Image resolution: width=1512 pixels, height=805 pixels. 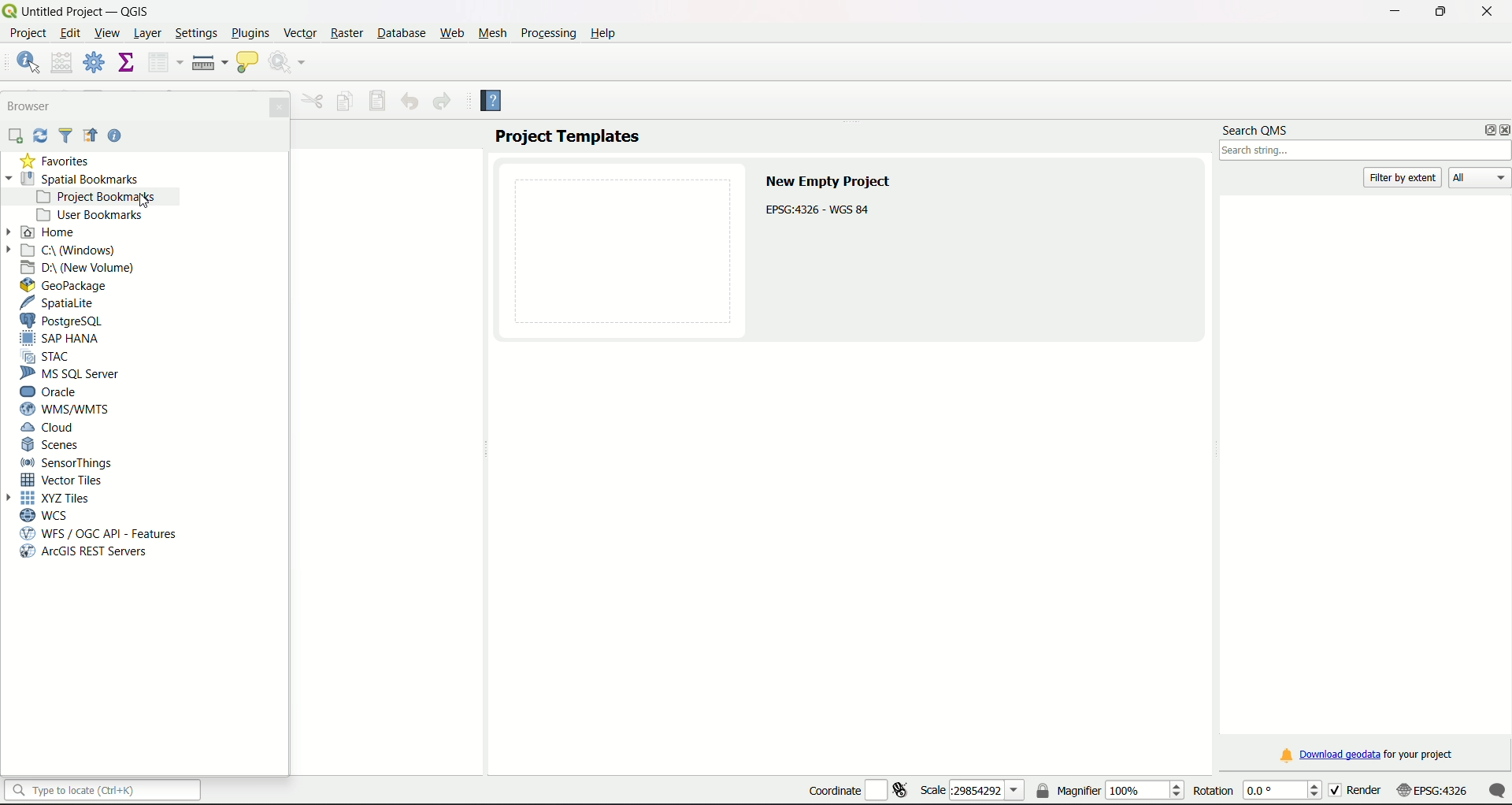 I want to click on Raster, so click(x=348, y=34).